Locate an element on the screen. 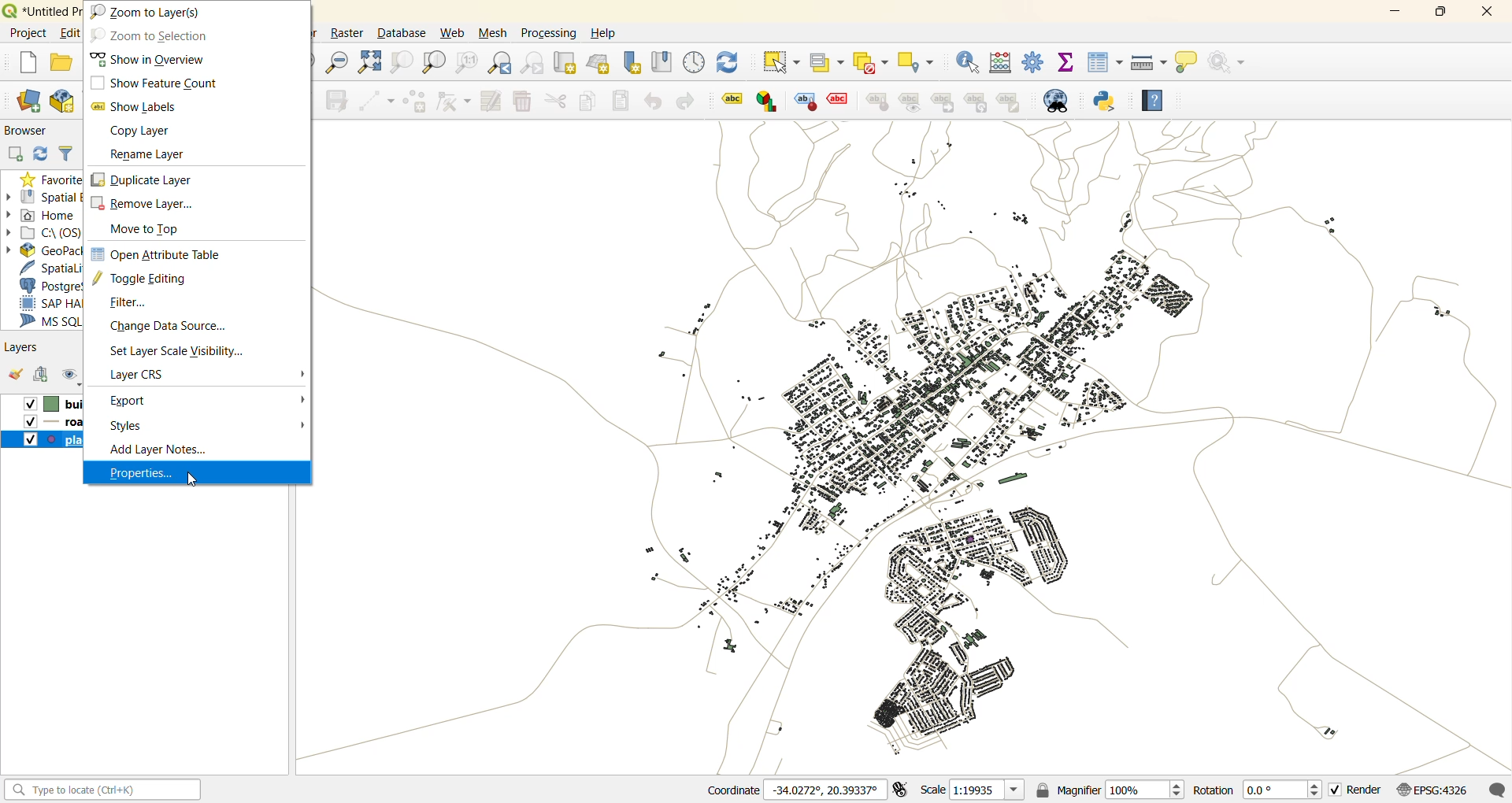 This screenshot has height=803, width=1512. modify is located at coordinates (492, 102).